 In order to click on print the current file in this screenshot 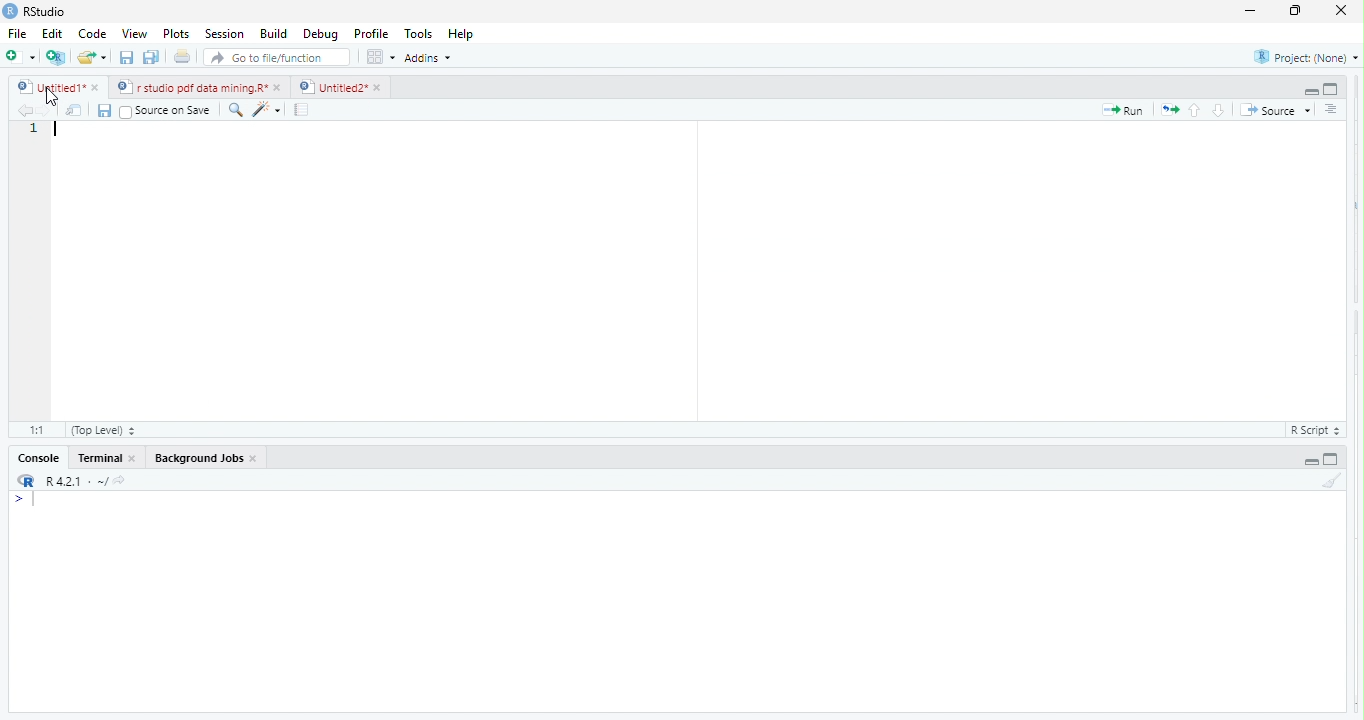, I will do `click(179, 58)`.